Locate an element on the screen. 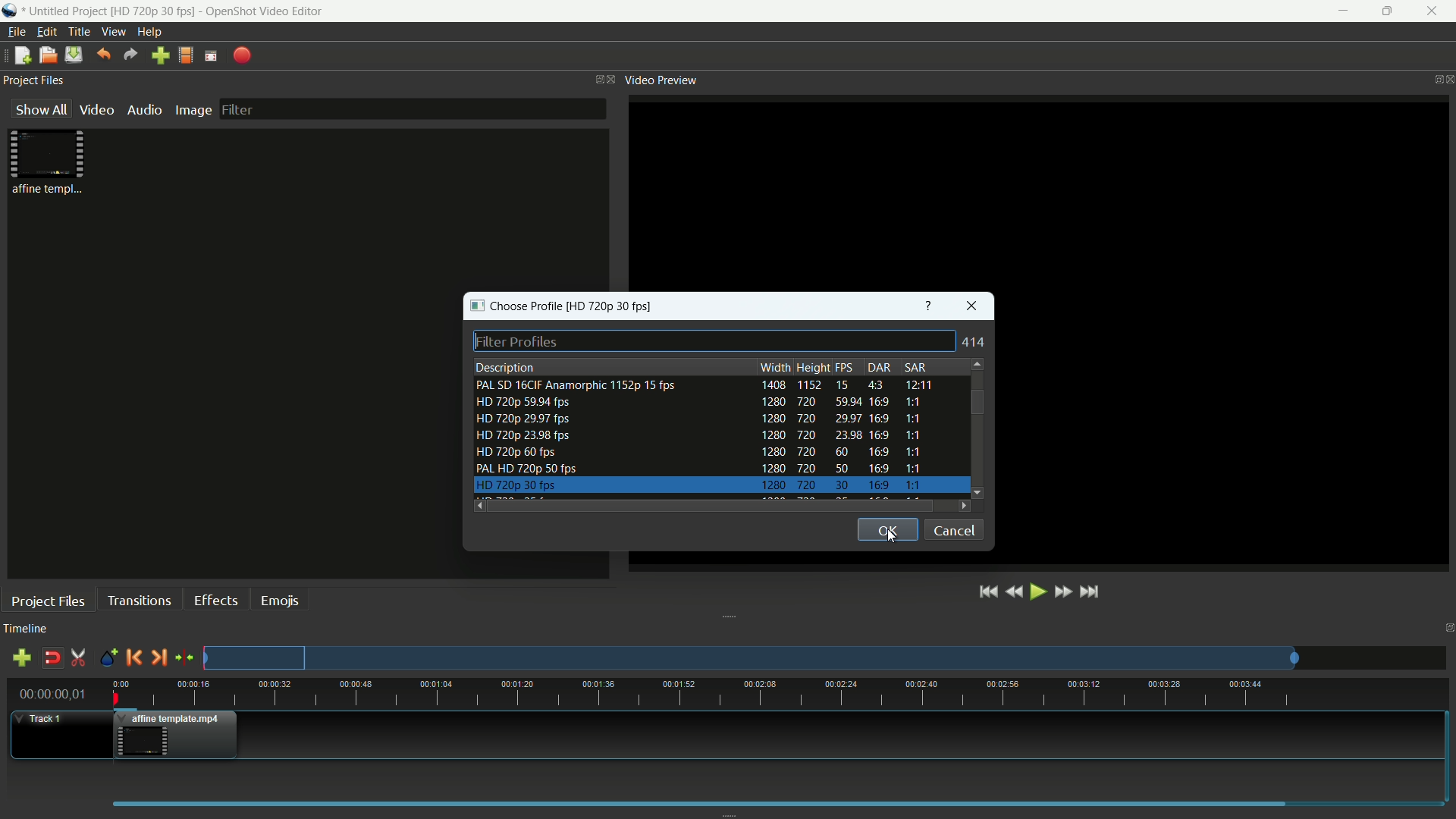  timeline is located at coordinates (27, 629).